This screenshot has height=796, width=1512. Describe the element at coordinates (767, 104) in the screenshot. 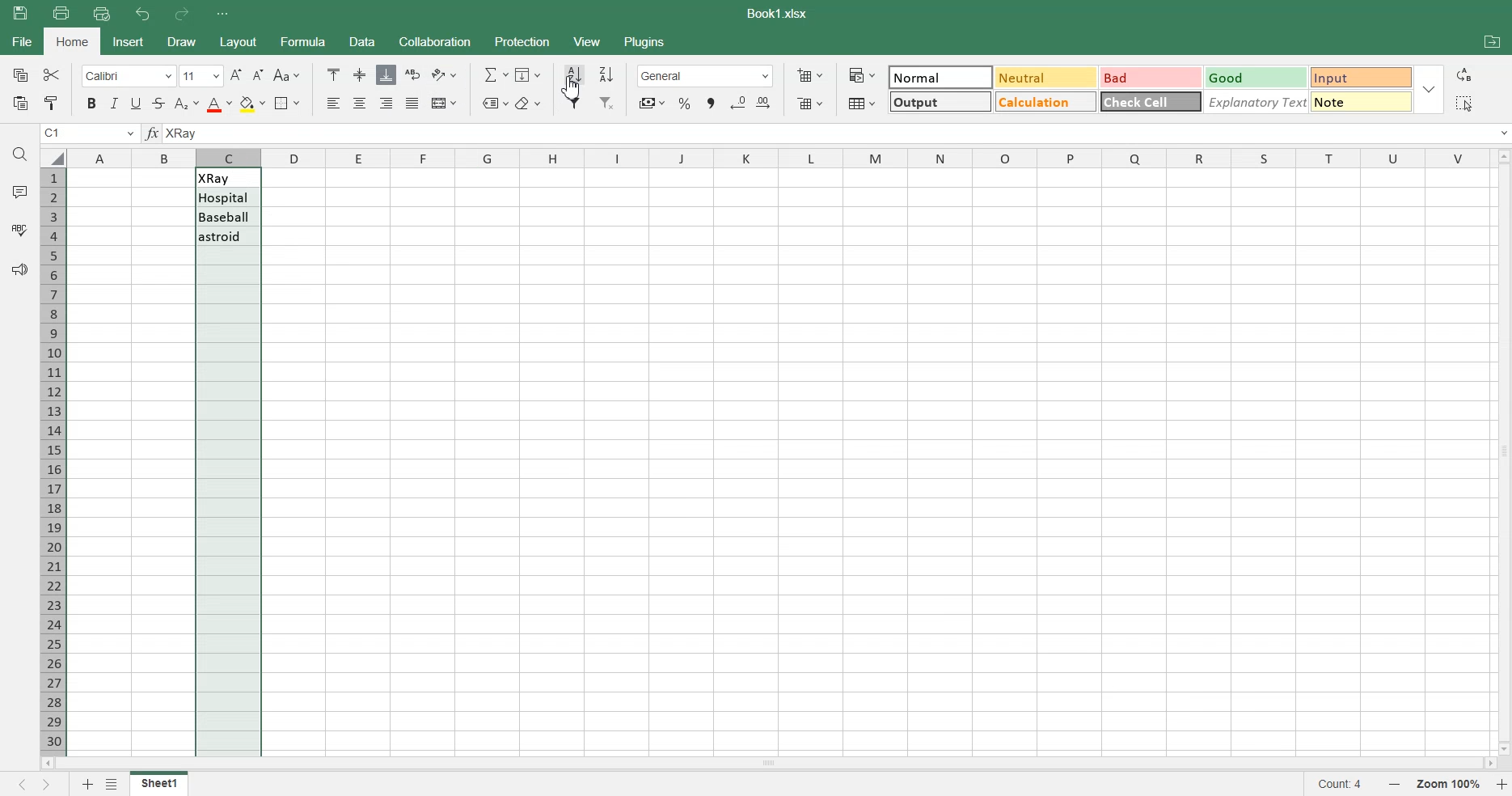

I see `Increase Decimal` at that location.